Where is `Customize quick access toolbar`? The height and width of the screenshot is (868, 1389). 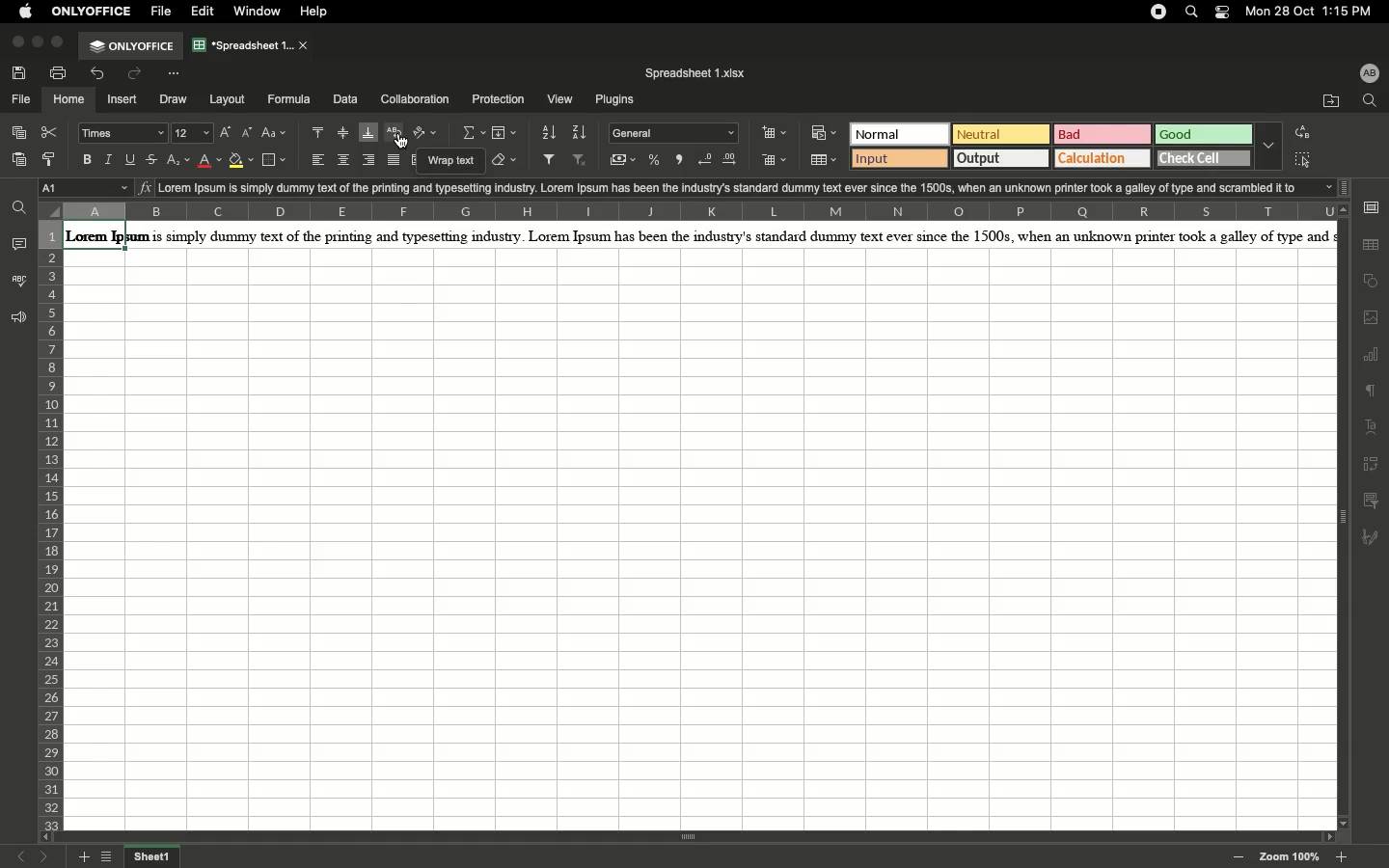
Customize quick access toolbar is located at coordinates (180, 72).